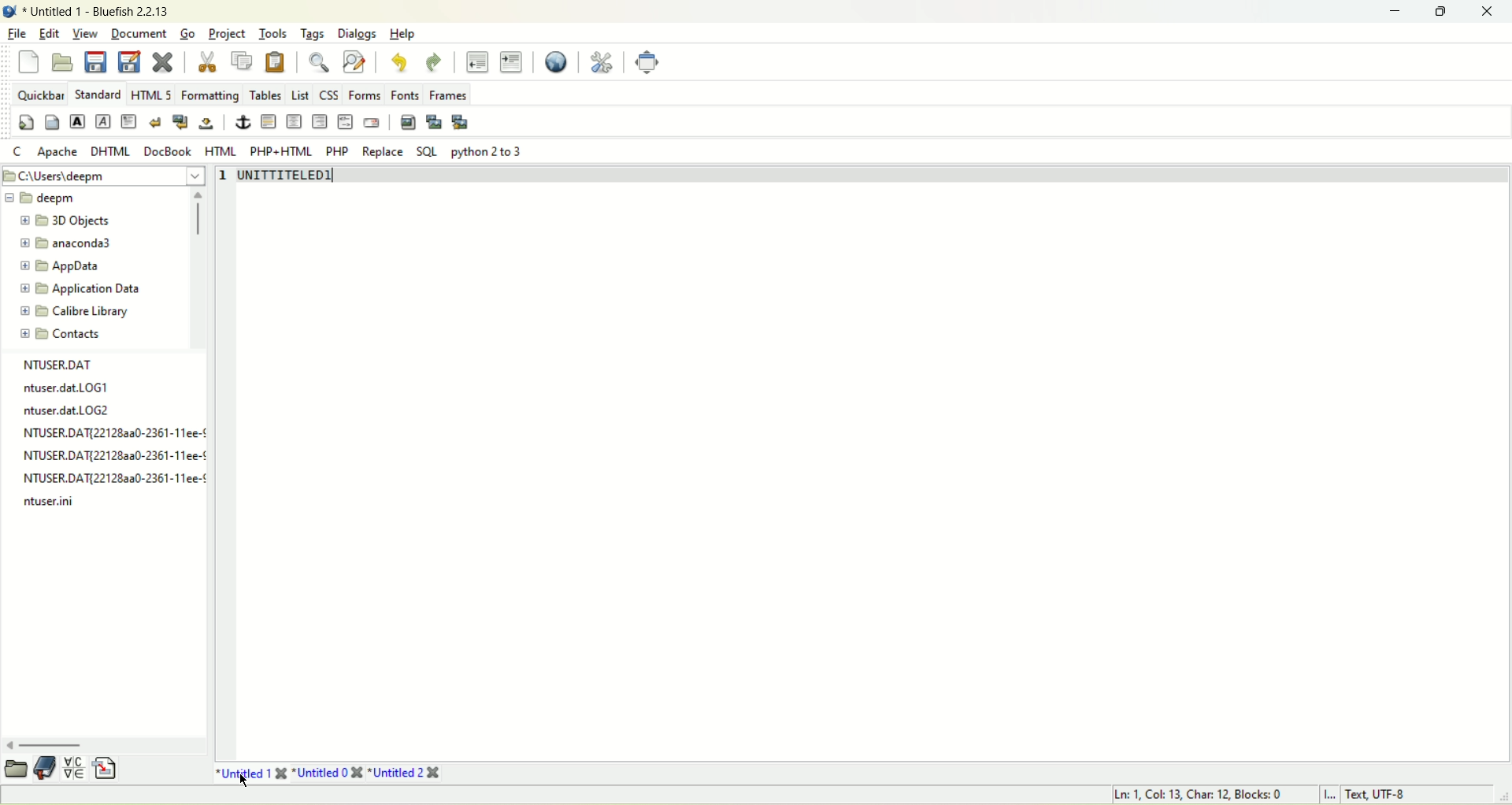 The width and height of the screenshot is (1512, 805). I want to click on insert file, so click(105, 768).